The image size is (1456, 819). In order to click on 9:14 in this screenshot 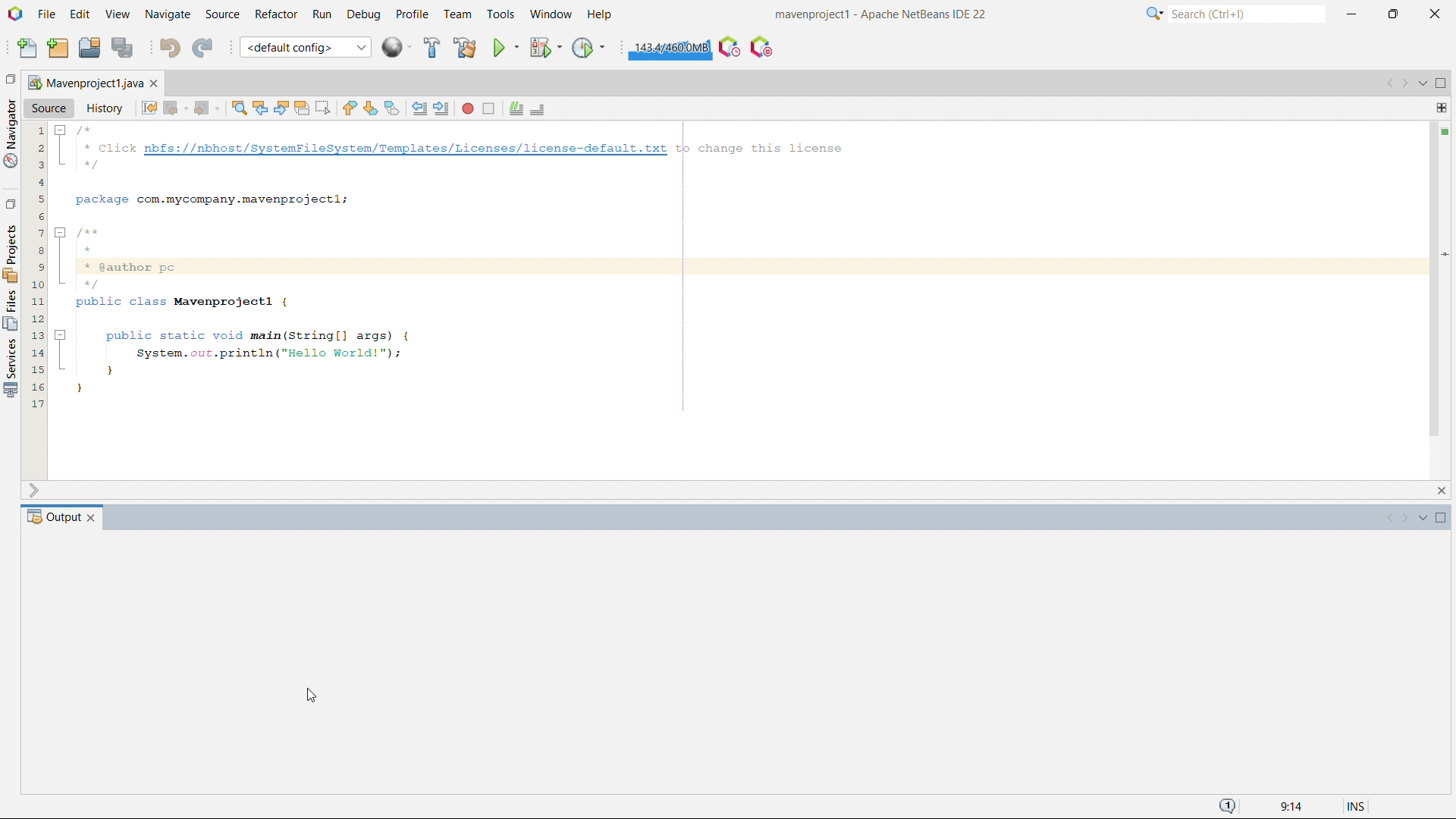, I will do `click(1288, 807)`.